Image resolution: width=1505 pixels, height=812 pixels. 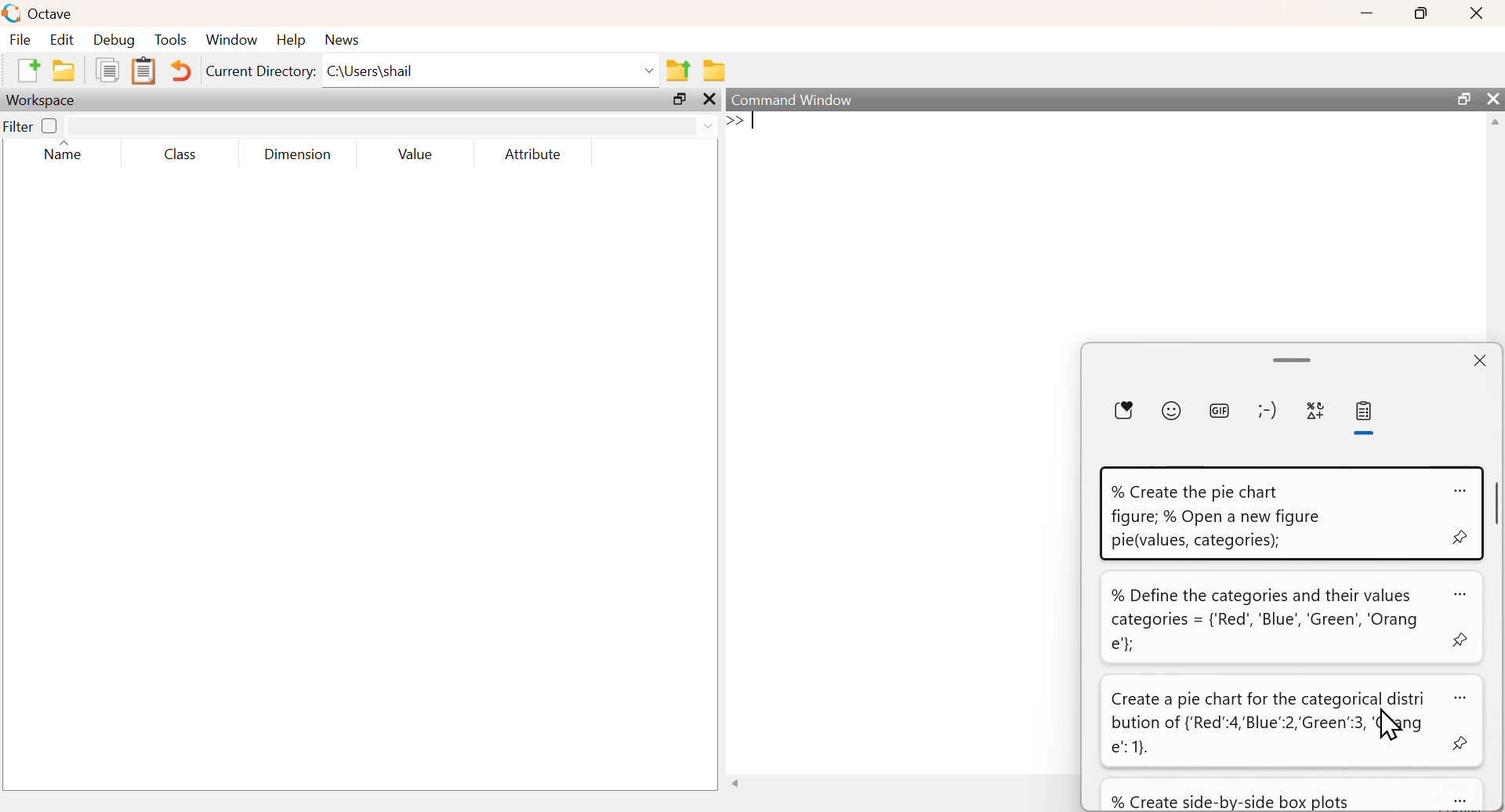 What do you see at coordinates (62, 150) in the screenshot?
I see `Name` at bounding box center [62, 150].